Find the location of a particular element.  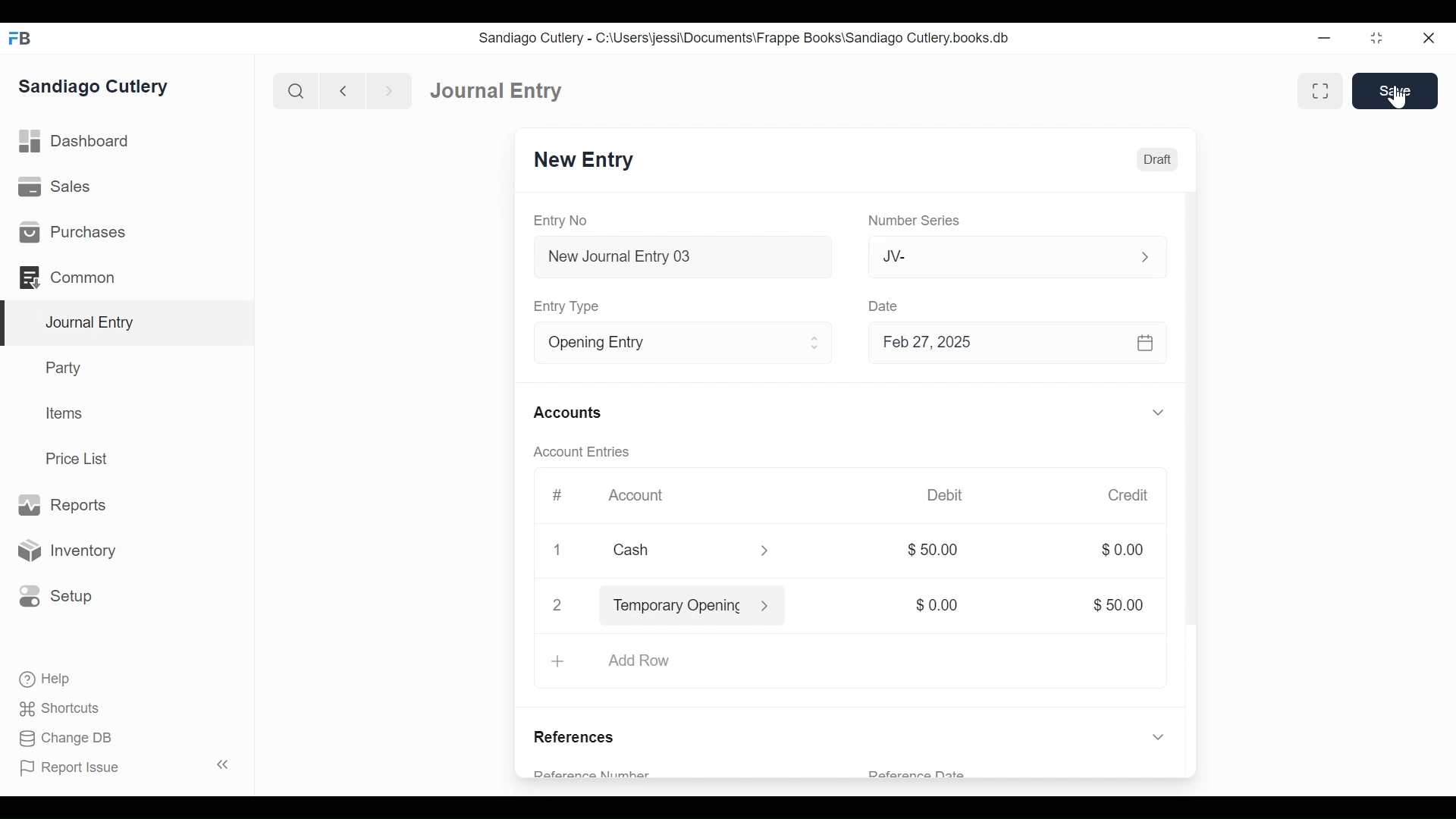

Entry Type is located at coordinates (663, 343).